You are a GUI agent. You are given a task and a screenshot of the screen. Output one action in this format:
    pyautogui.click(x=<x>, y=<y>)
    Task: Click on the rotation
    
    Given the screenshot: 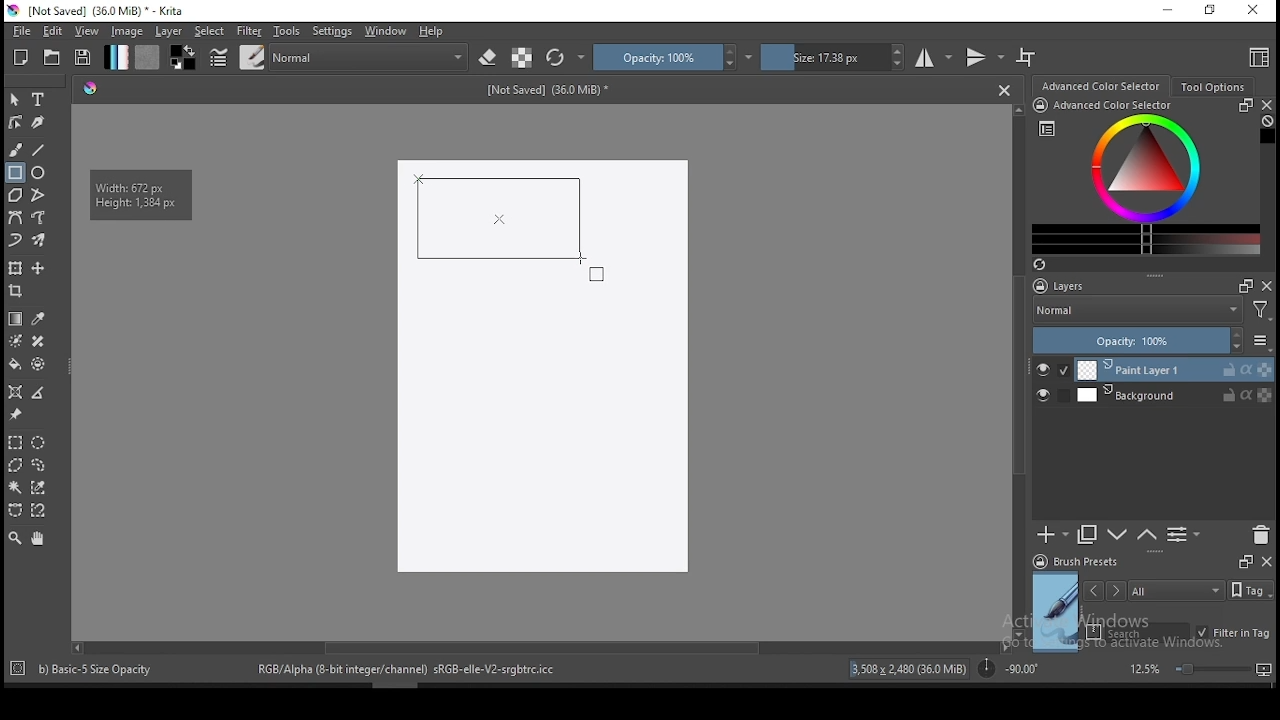 What is the action you would take?
    pyautogui.click(x=1008, y=667)
    